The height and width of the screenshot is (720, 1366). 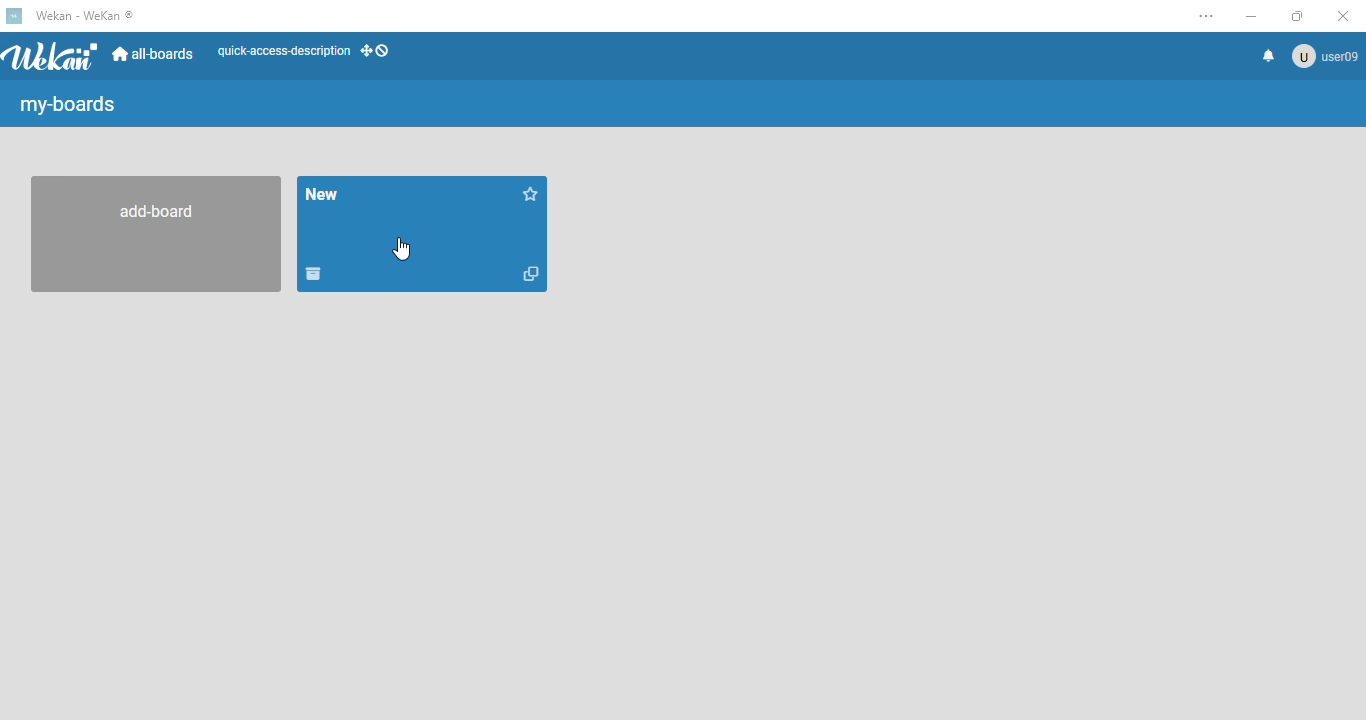 I want to click on all-boards, so click(x=156, y=55).